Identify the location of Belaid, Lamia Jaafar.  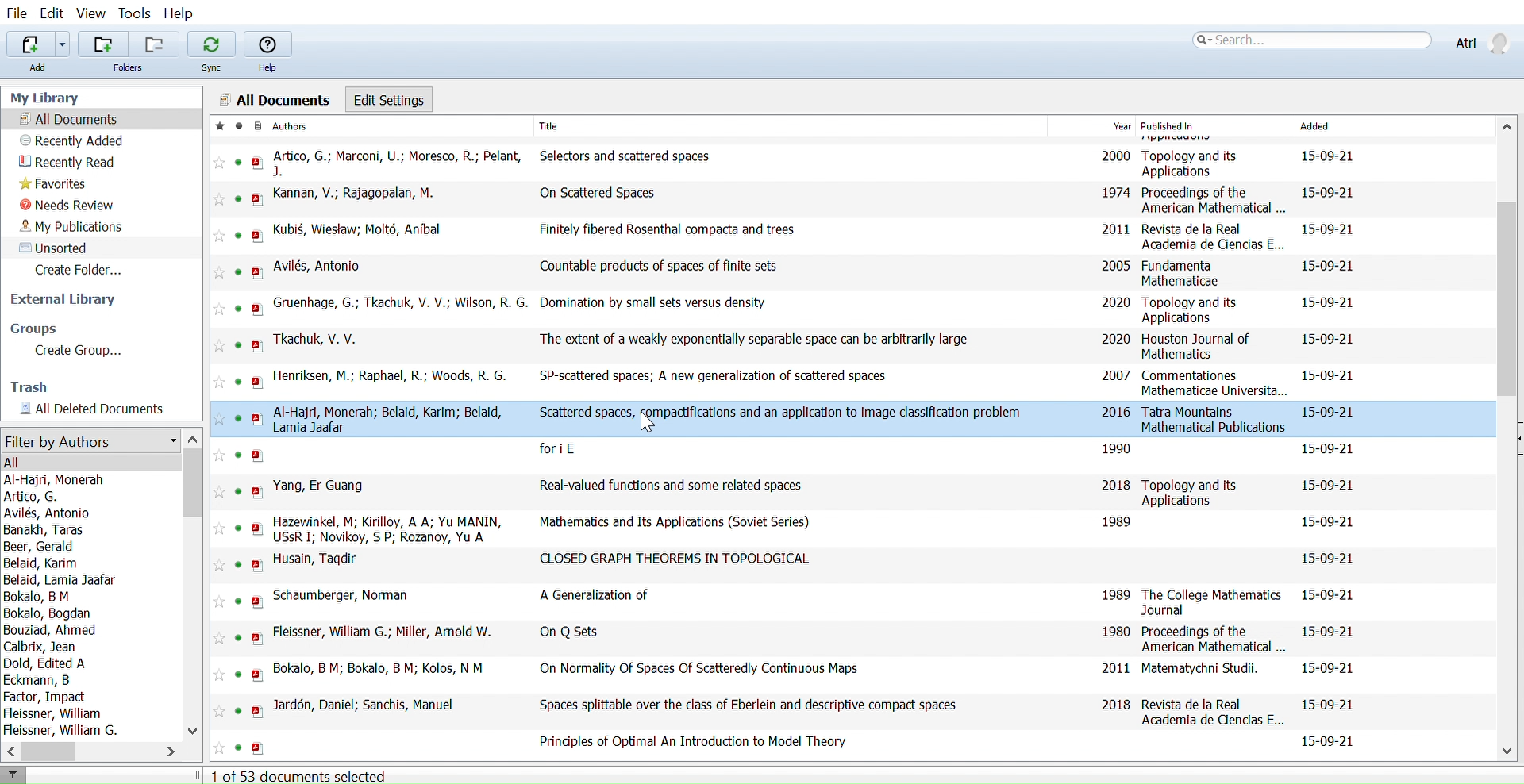
(63, 579).